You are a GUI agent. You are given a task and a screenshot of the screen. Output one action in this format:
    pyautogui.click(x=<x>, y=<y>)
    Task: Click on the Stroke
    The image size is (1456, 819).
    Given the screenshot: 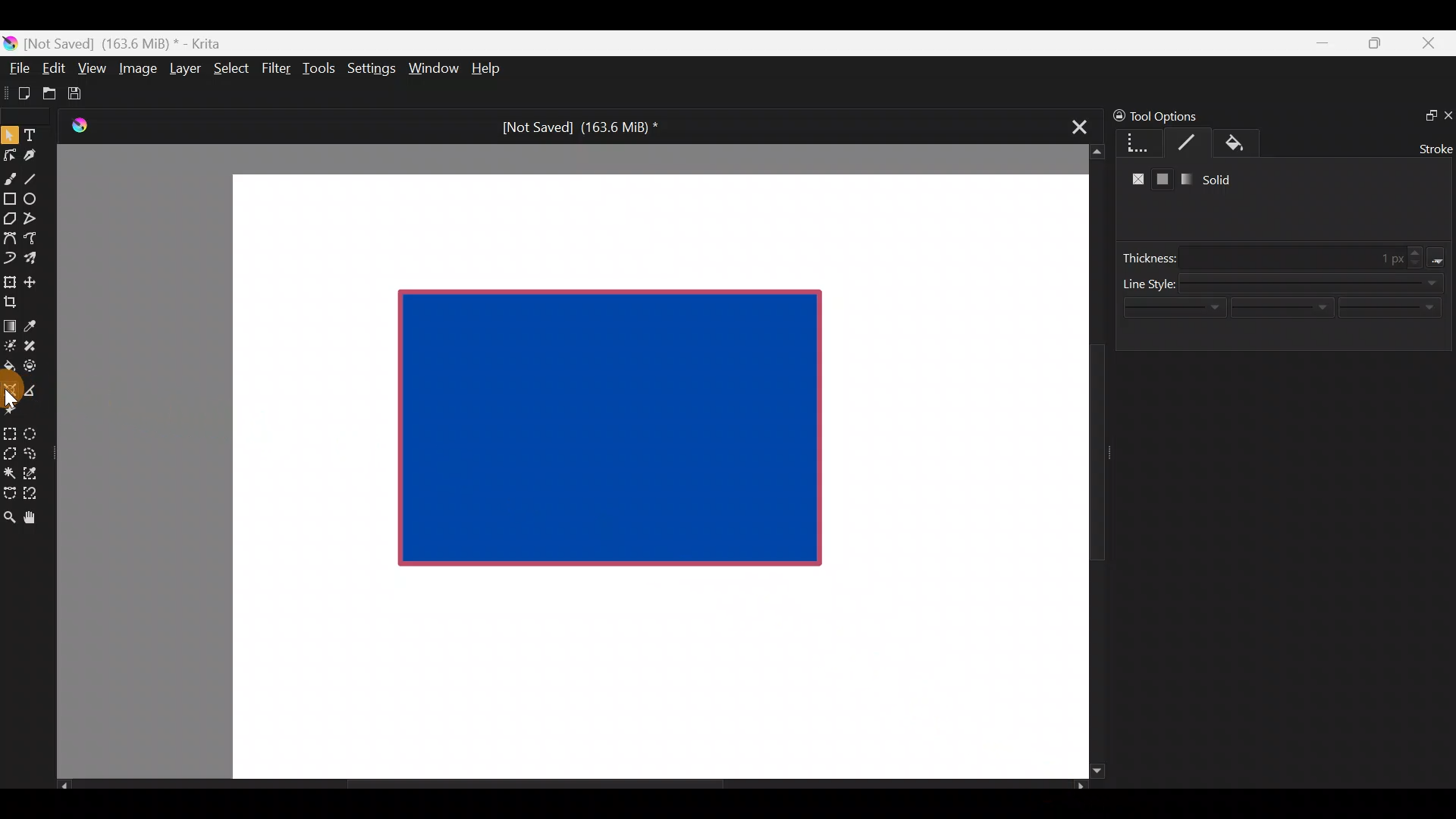 What is the action you would take?
    pyautogui.click(x=1432, y=147)
    